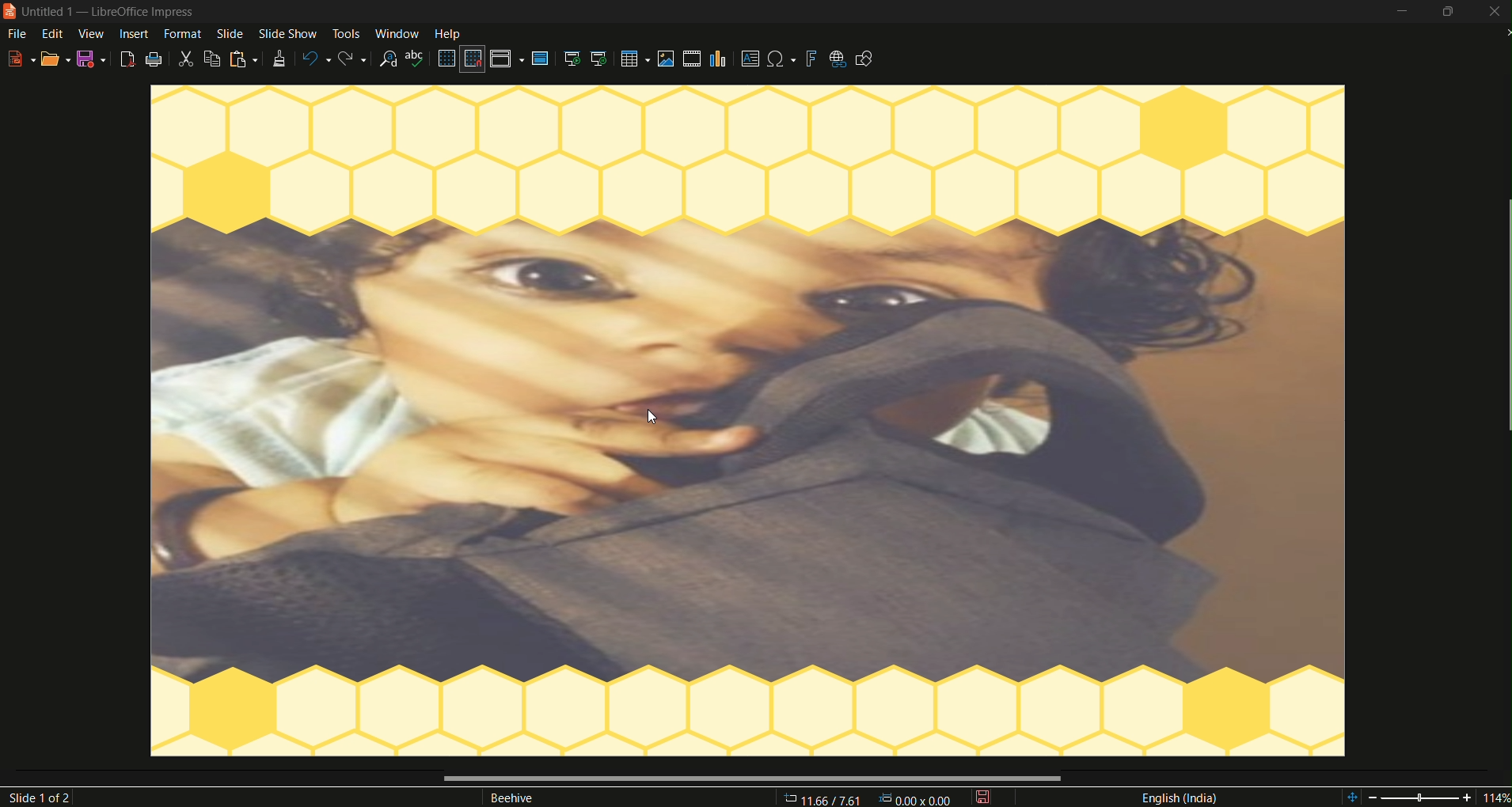 This screenshot has height=807, width=1512. Describe the element at coordinates (180, 33) in the screenshot. I see `format` at that location.